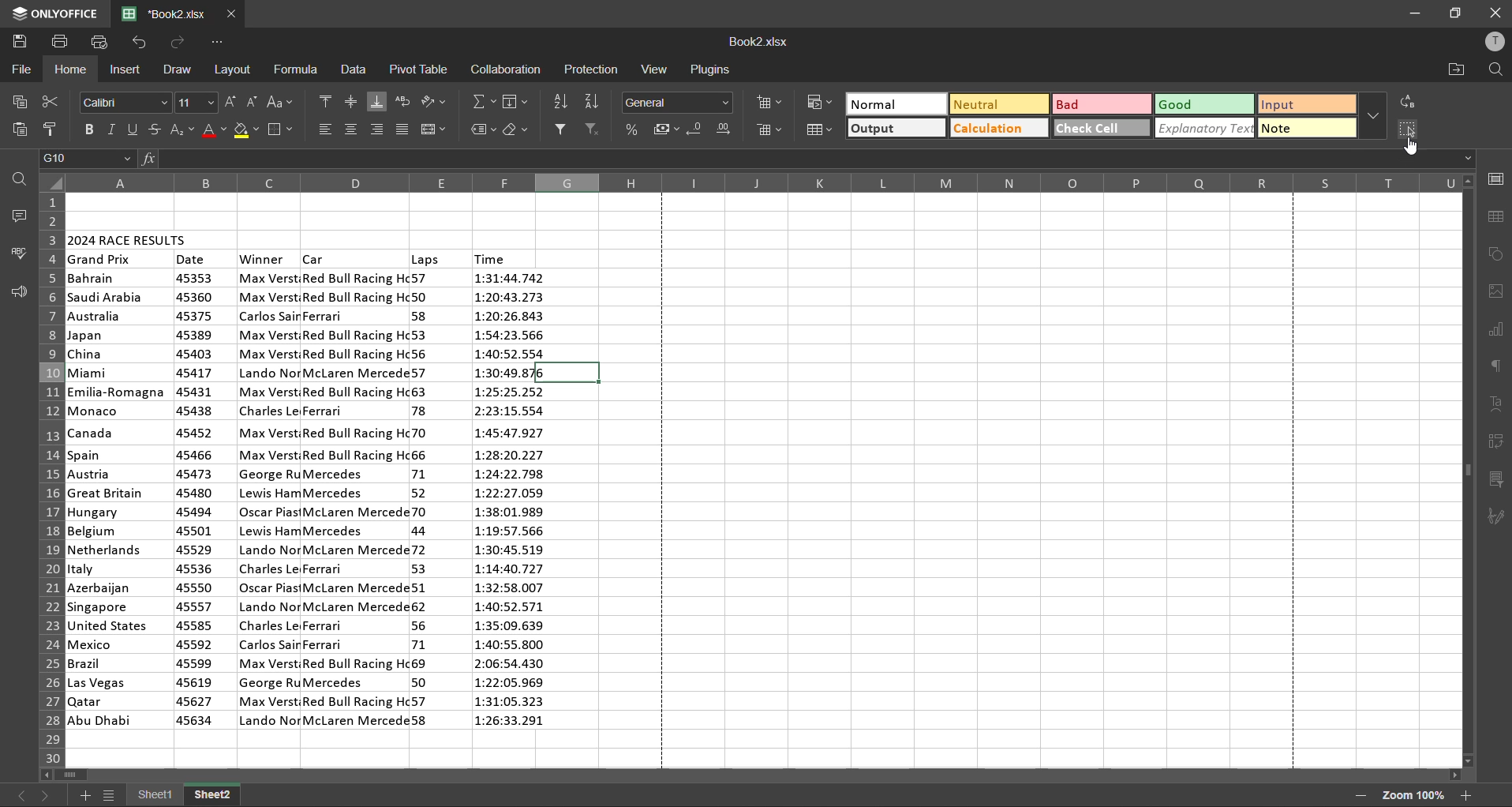 The image size is (1512, 807). Describe the element at coordinates (770, 130) in the screenshot. I see `delete cells` at that location.